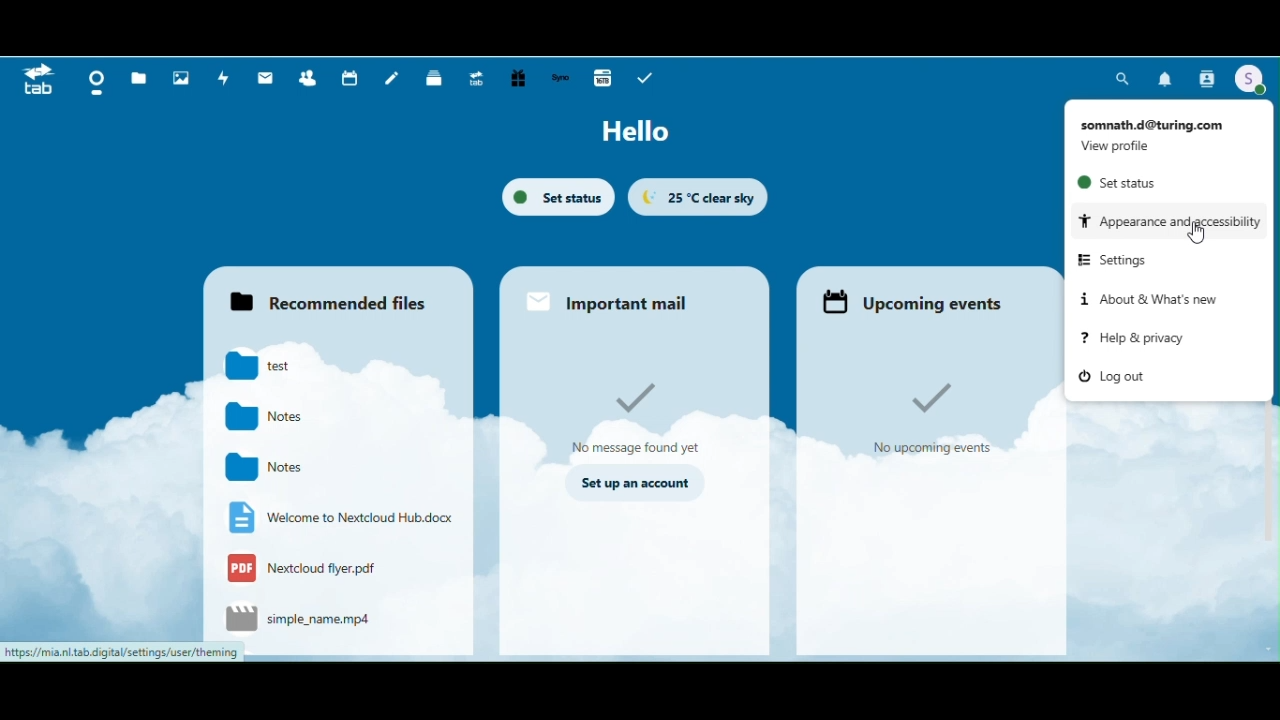 This screenshot has width=1280, height=720. What do you see at coordinates (313, 570) in the screenshot?
I see `Nextcloud fiyer.pdf` at bounding box center [313, 570].